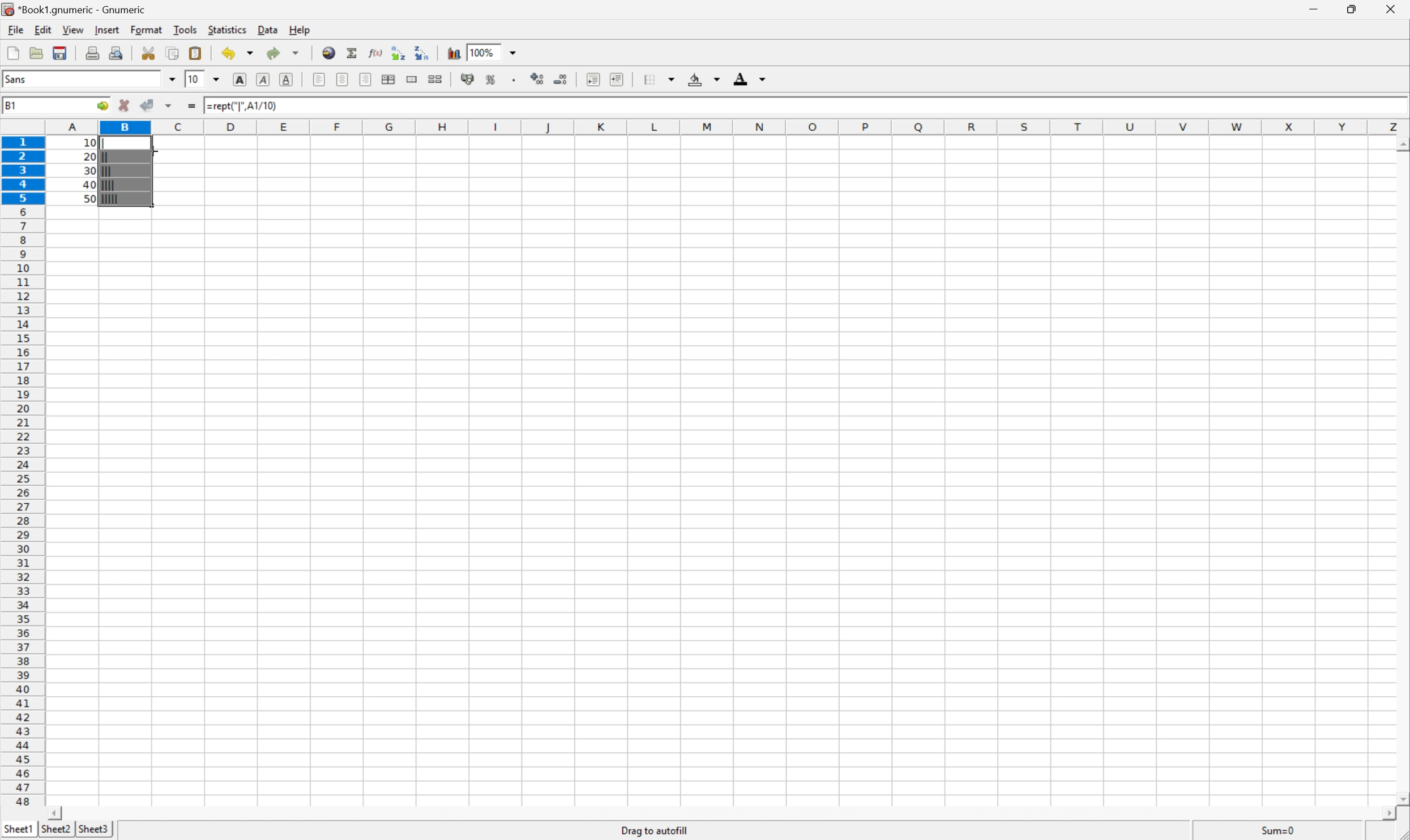 The image size is (1410, 840). I want to click on =REPT("|", A1/10), so click(147, 142).